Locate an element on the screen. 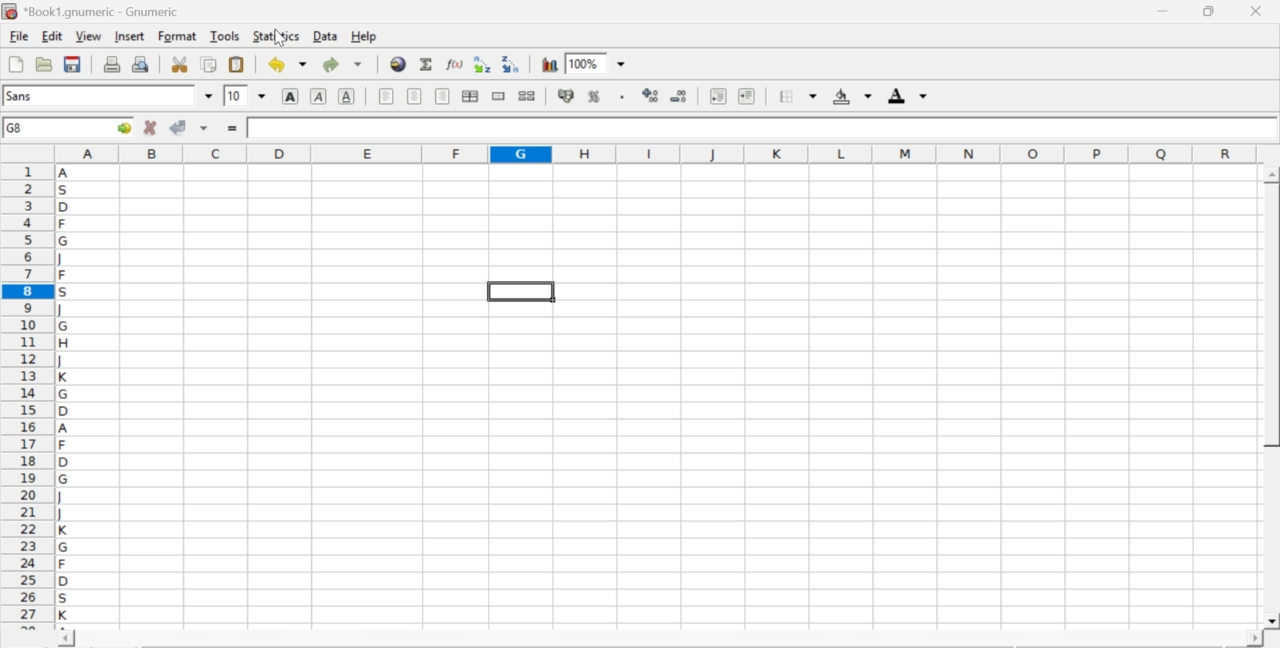 The width and height of the screenshot is (1280, 648). print preview is located at coordinates (141, 63).